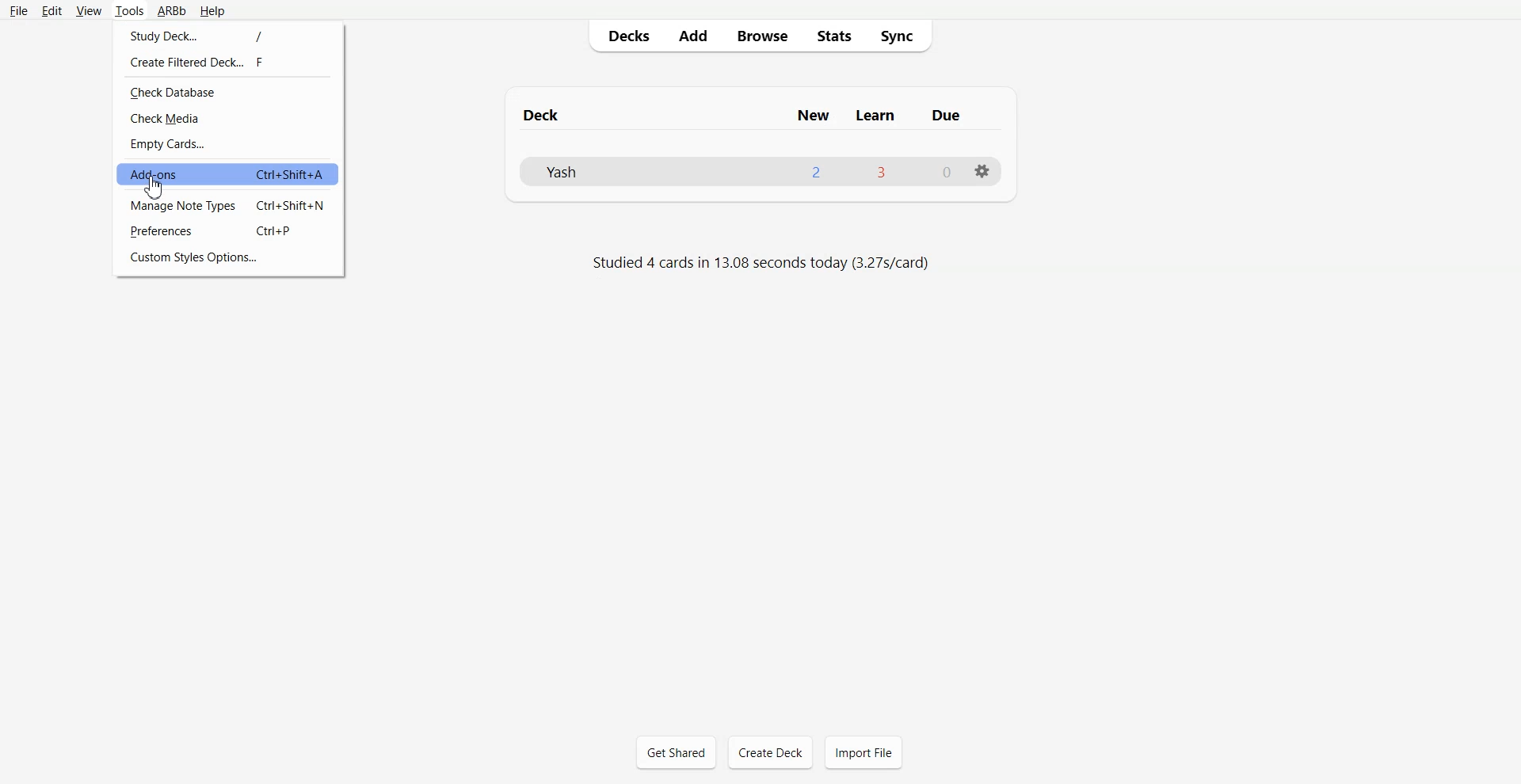 This screenshot has height=784, width=1521. I want to click on Deck File, so click(760, 172).